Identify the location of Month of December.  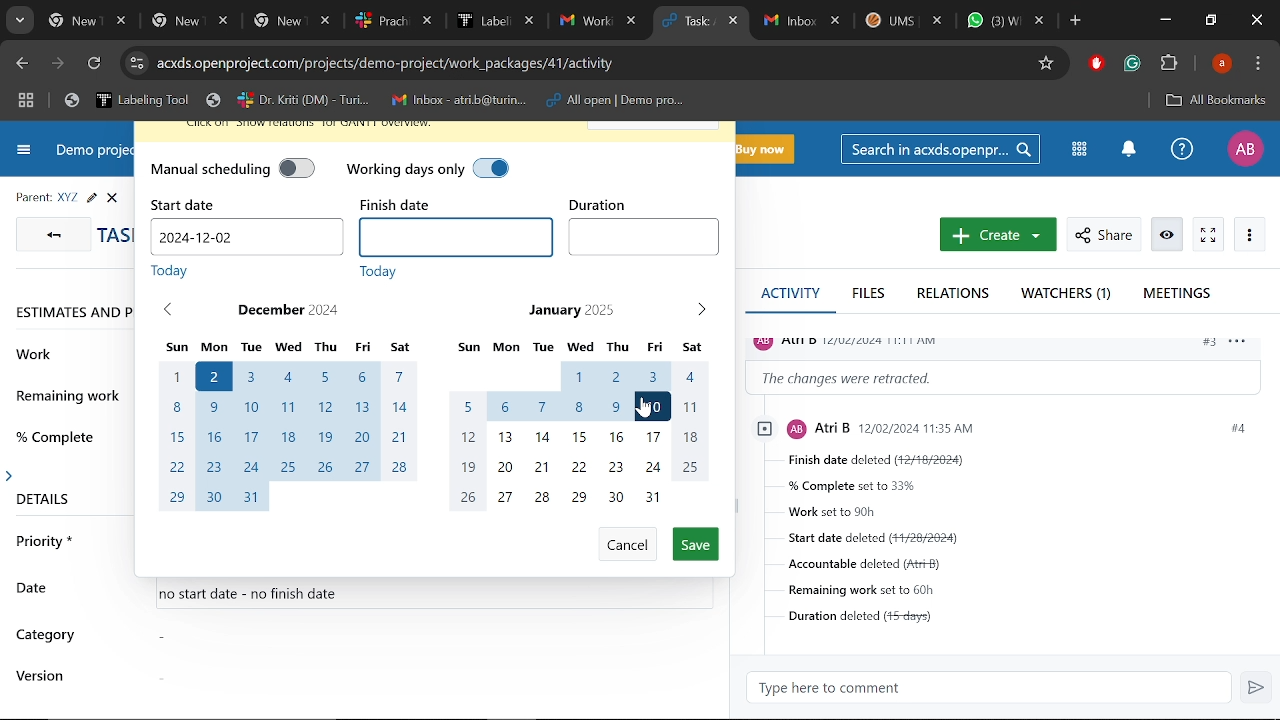
(290, 421).